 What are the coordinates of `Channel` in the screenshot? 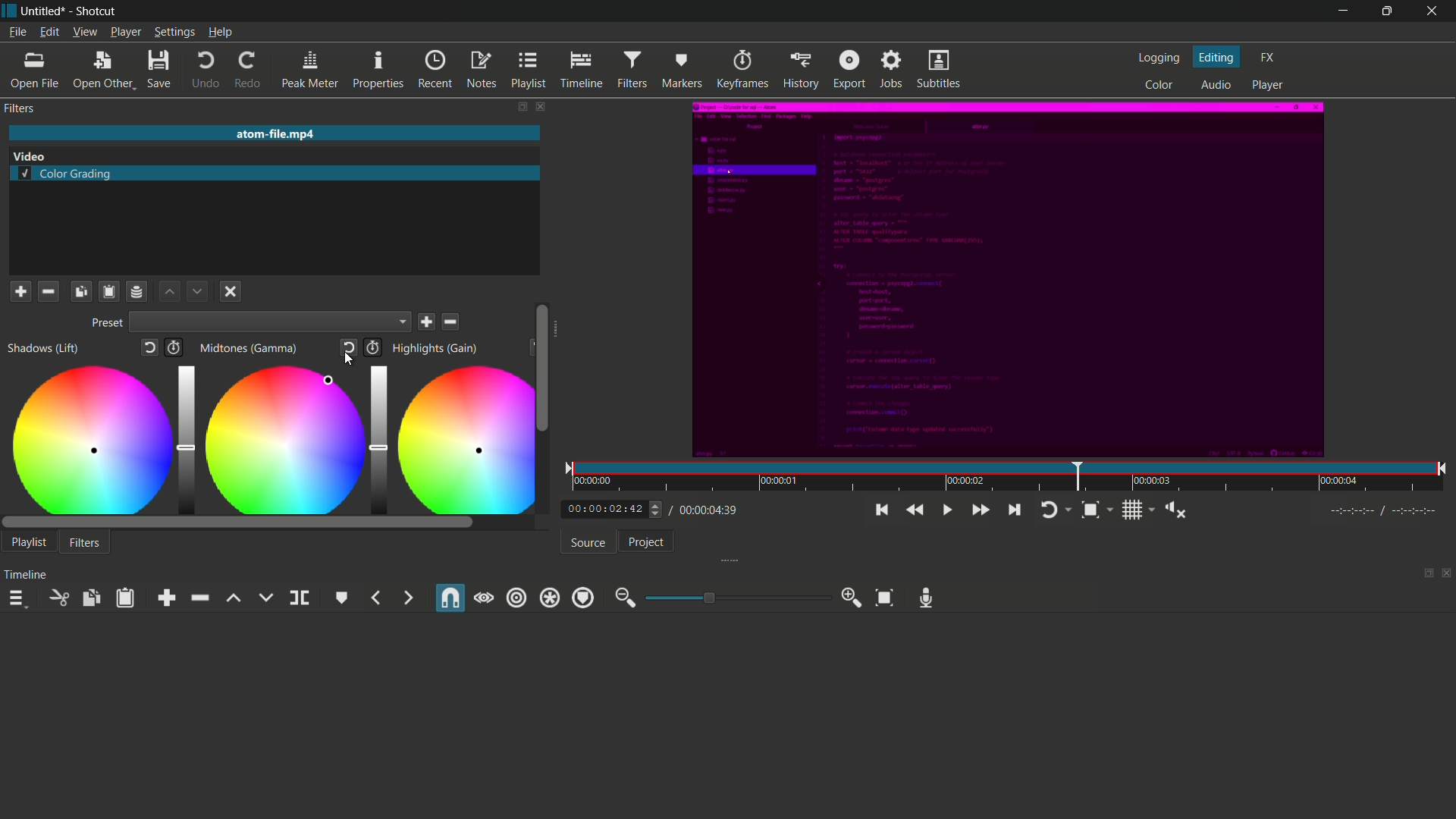 It's located at (137, 291).